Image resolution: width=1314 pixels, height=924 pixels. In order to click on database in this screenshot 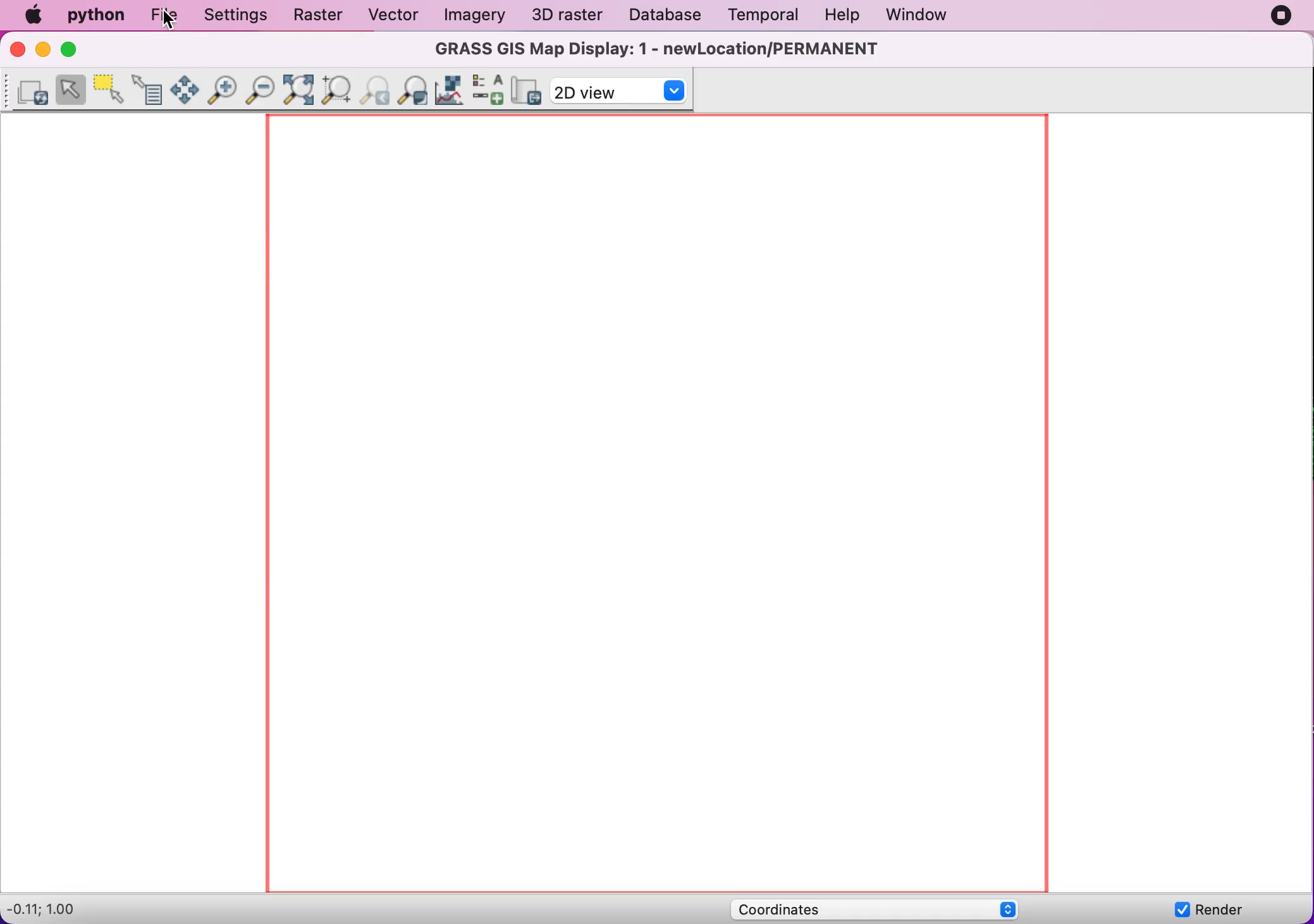, I will do `click(668, 16)`.